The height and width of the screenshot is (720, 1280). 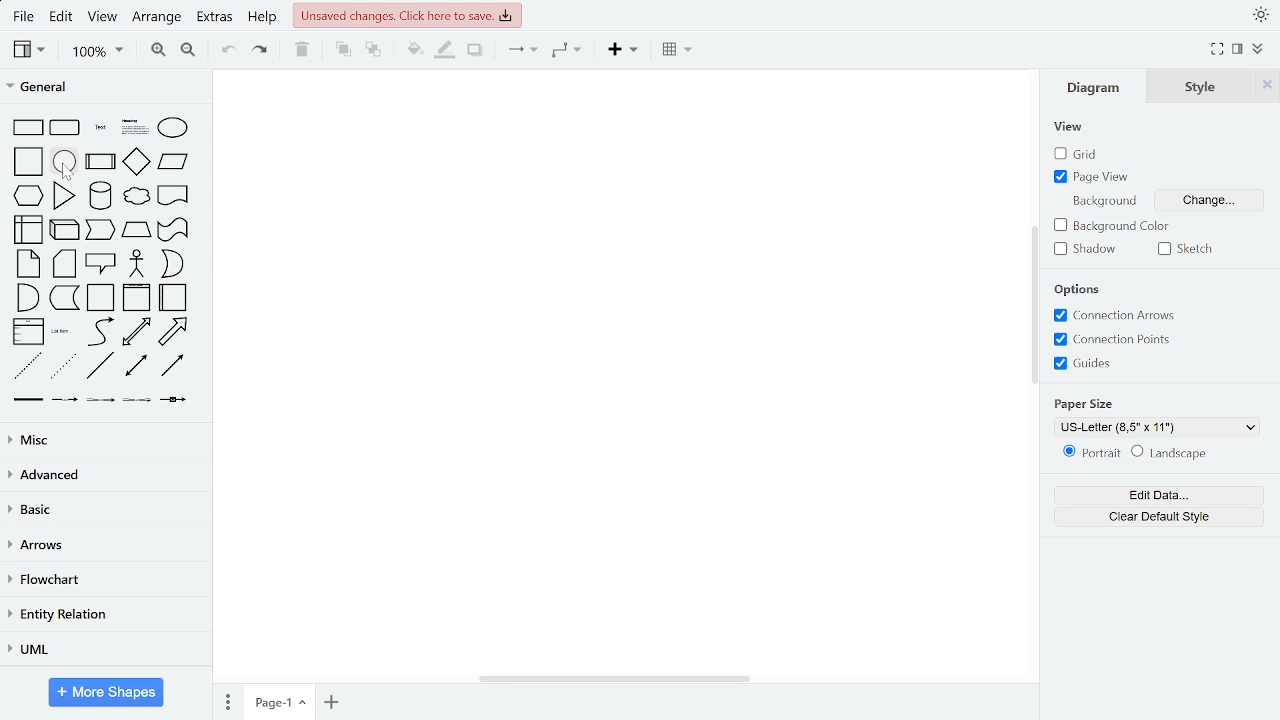 I want to click on current page, so click(x=278, y=702).